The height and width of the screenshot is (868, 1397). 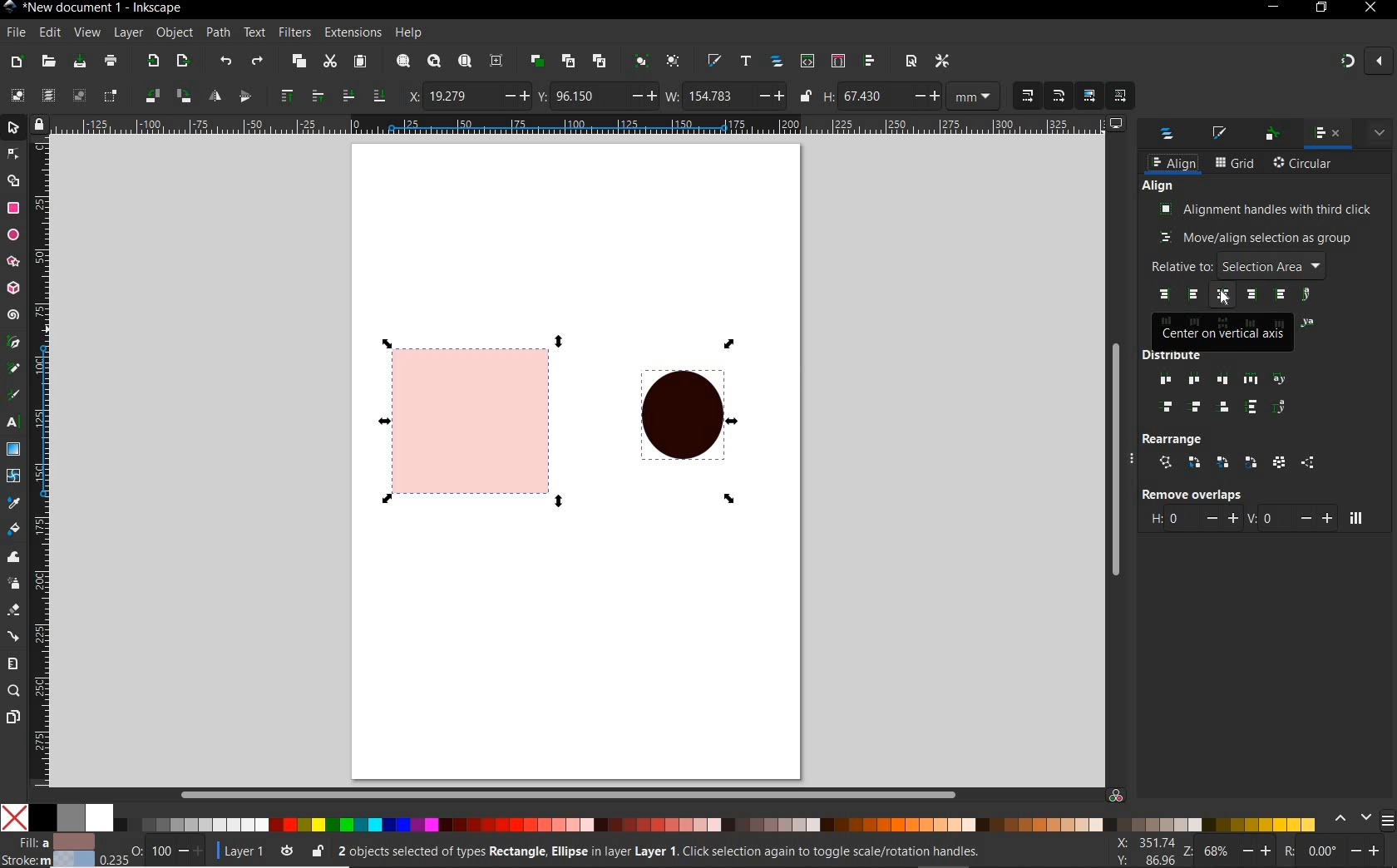 I want to click on zoom selection, so click(x=404, y=61).